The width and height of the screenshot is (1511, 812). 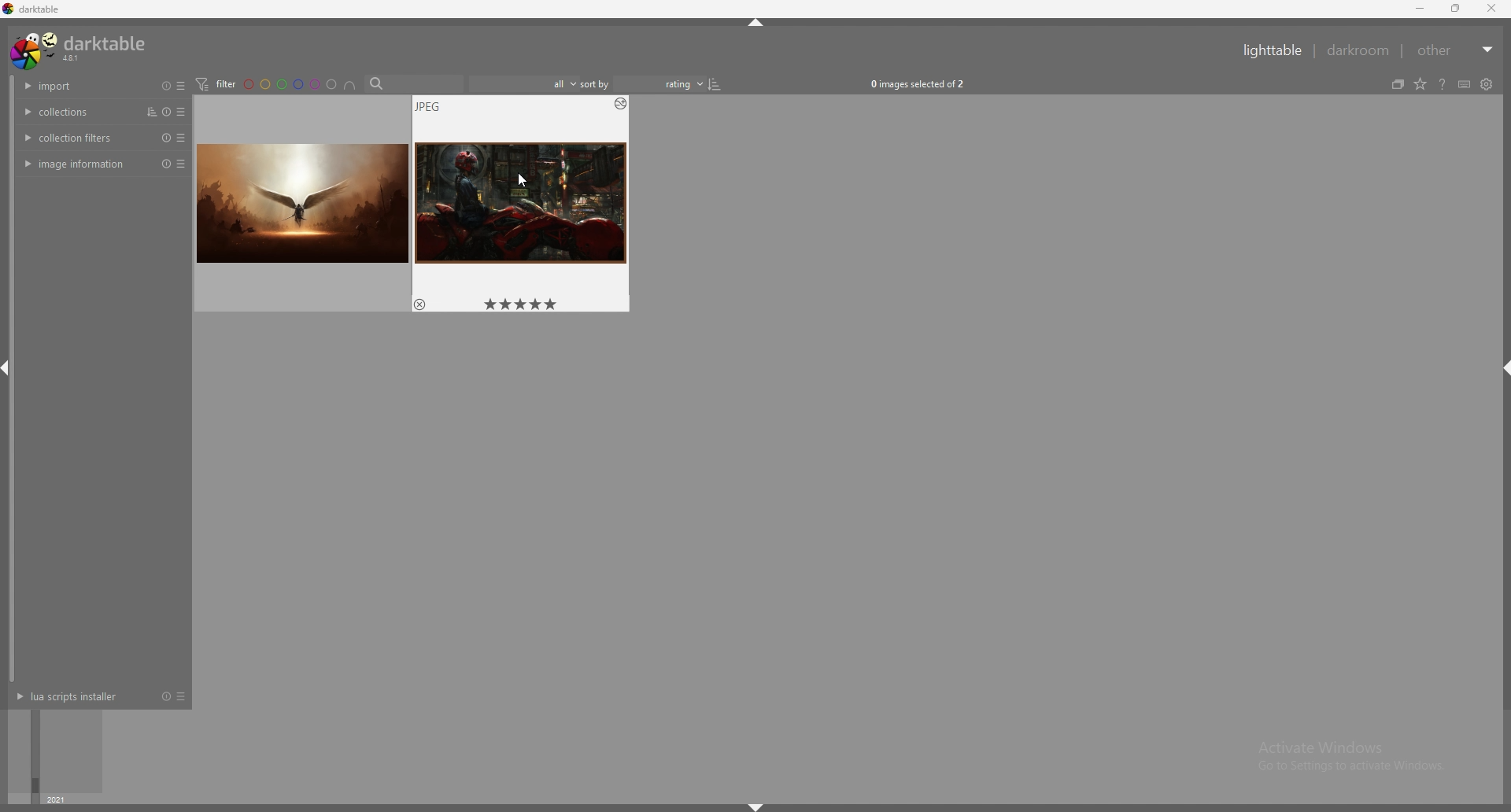 I want to click on star rating, so click(x=519, y=304).